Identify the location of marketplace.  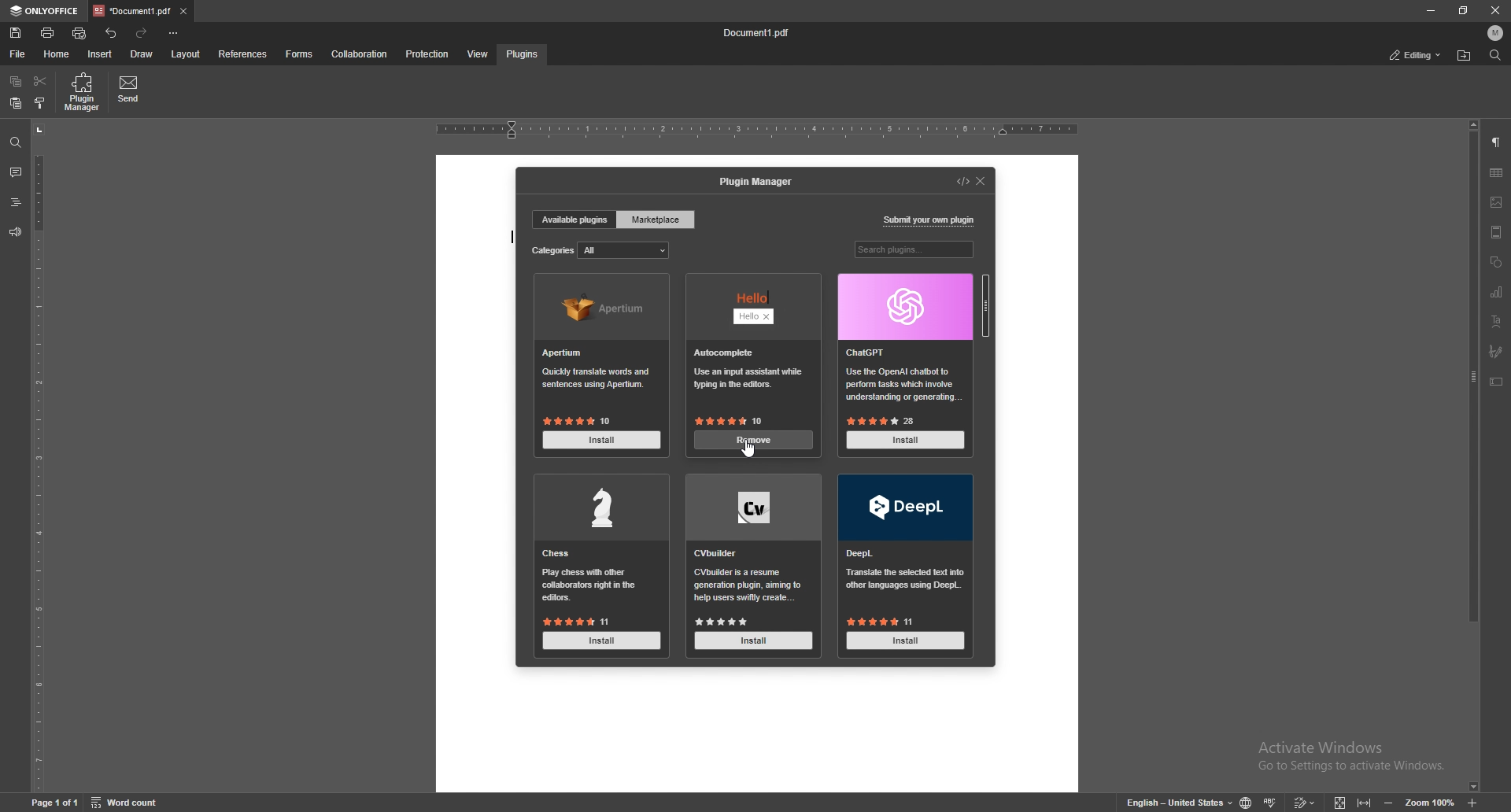
(656, 220).